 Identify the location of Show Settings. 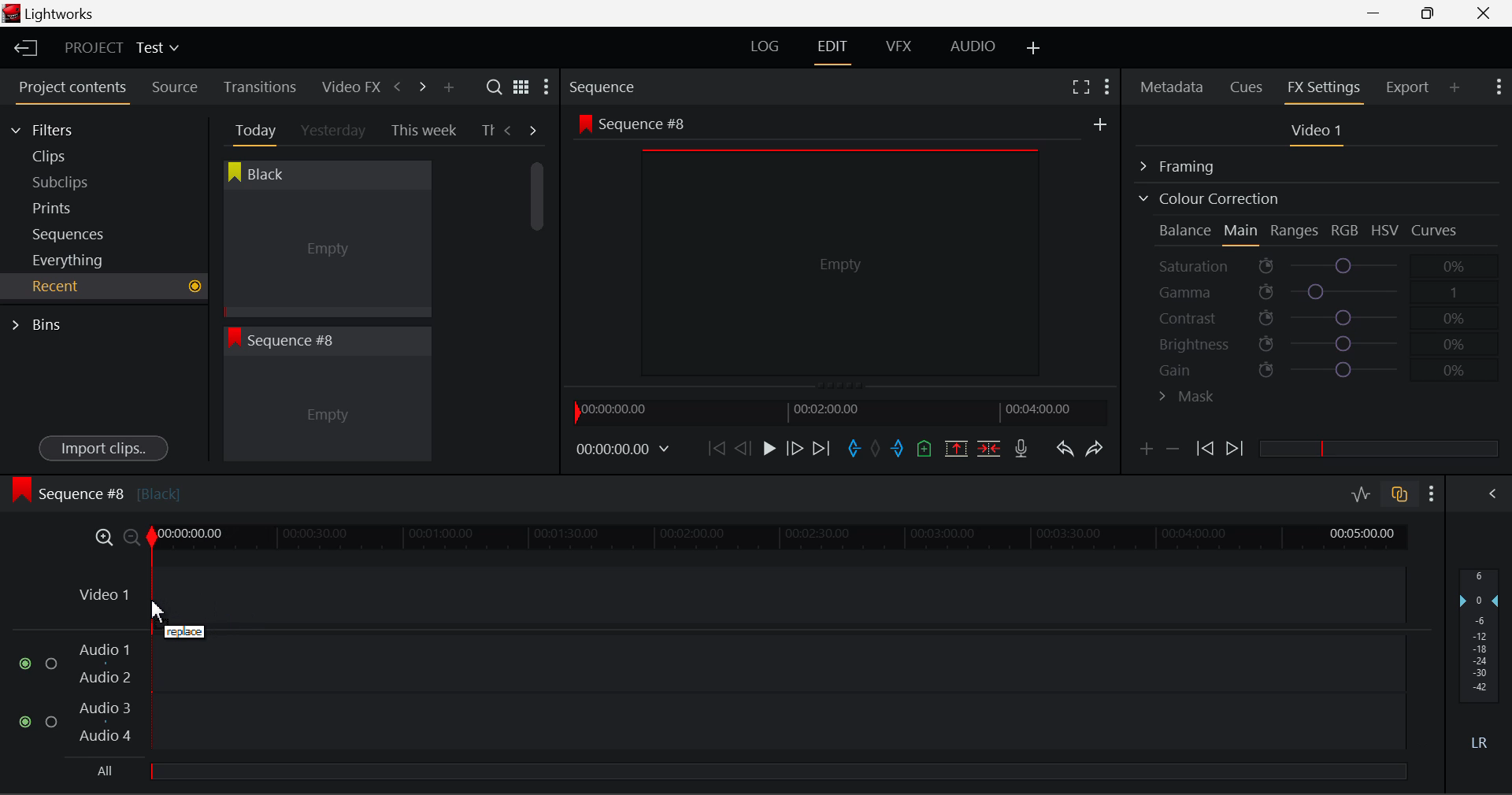
(1432, 494).